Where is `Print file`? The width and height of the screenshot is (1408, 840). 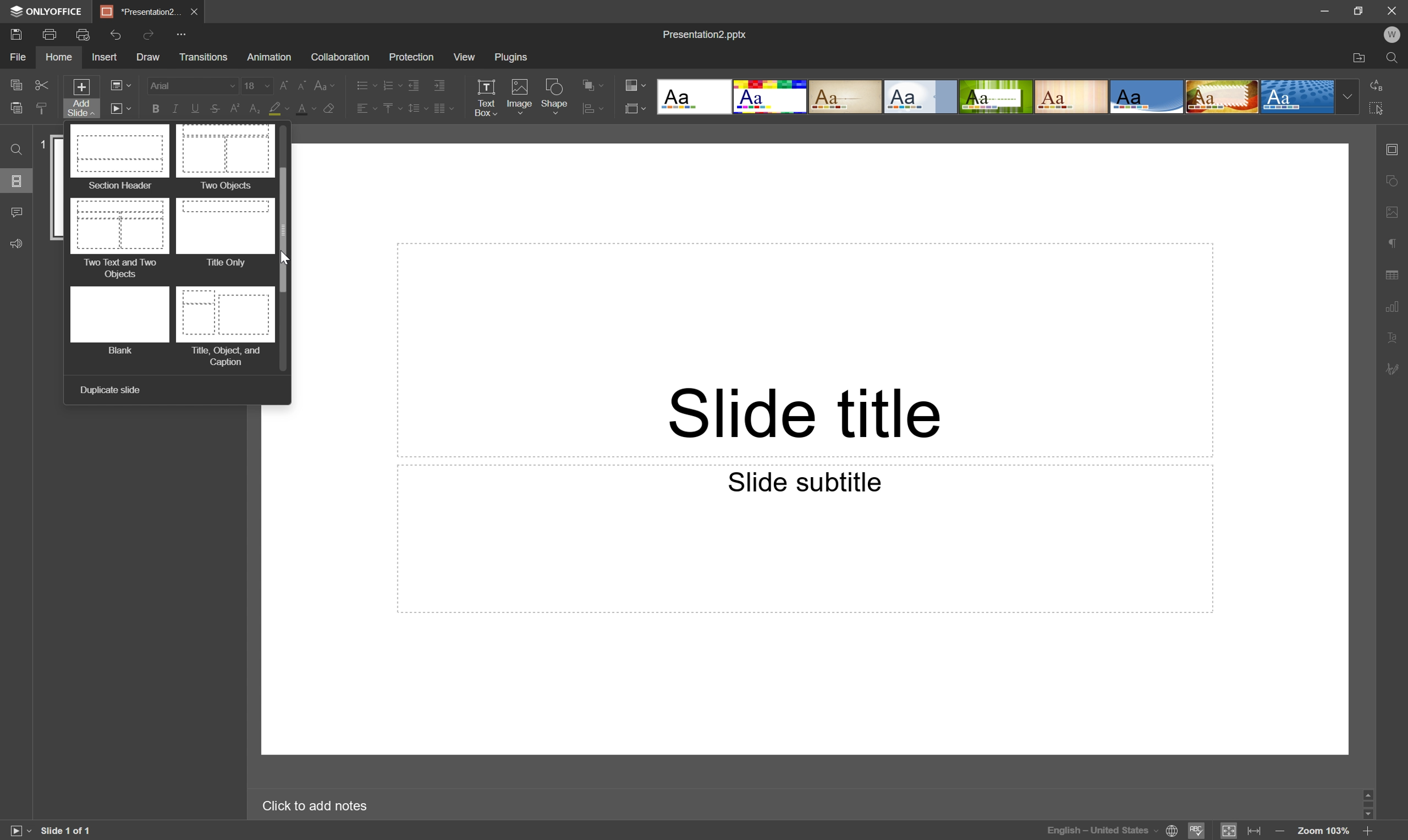 Print file is located at coordinates (50, 35).